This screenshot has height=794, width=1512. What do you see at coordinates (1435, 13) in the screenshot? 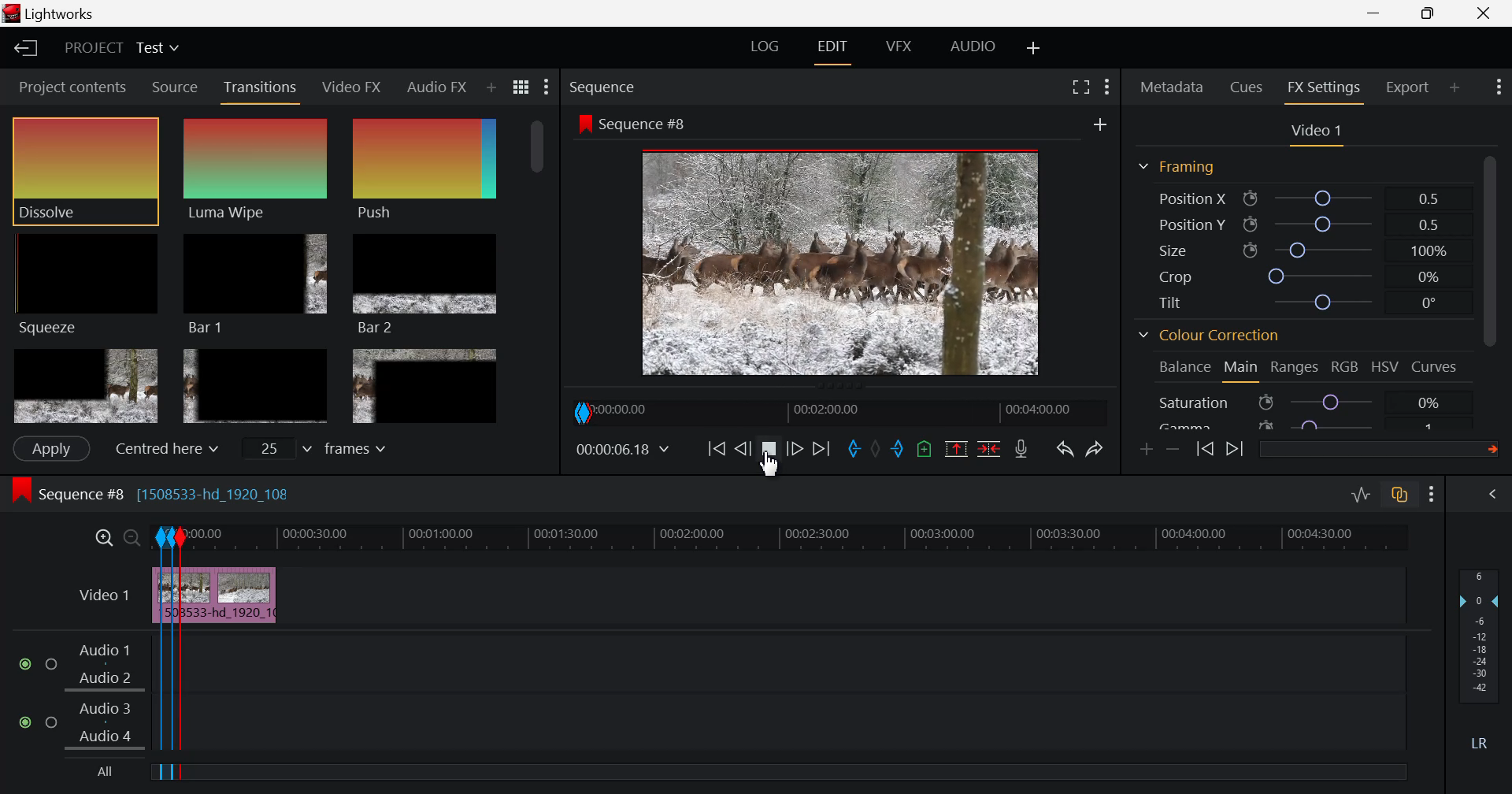
I see `Minimize` at bounding box center [1435, 13].